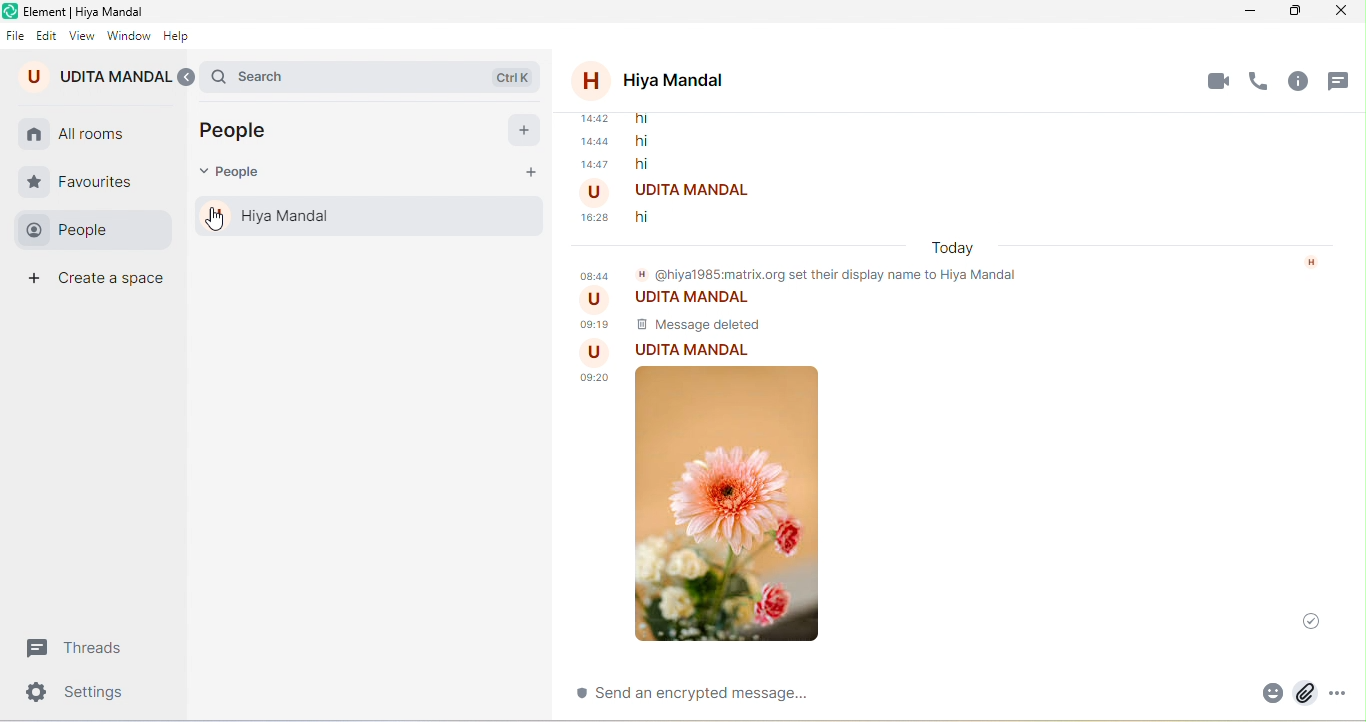  I want to click on favourite, so click(86, 179).